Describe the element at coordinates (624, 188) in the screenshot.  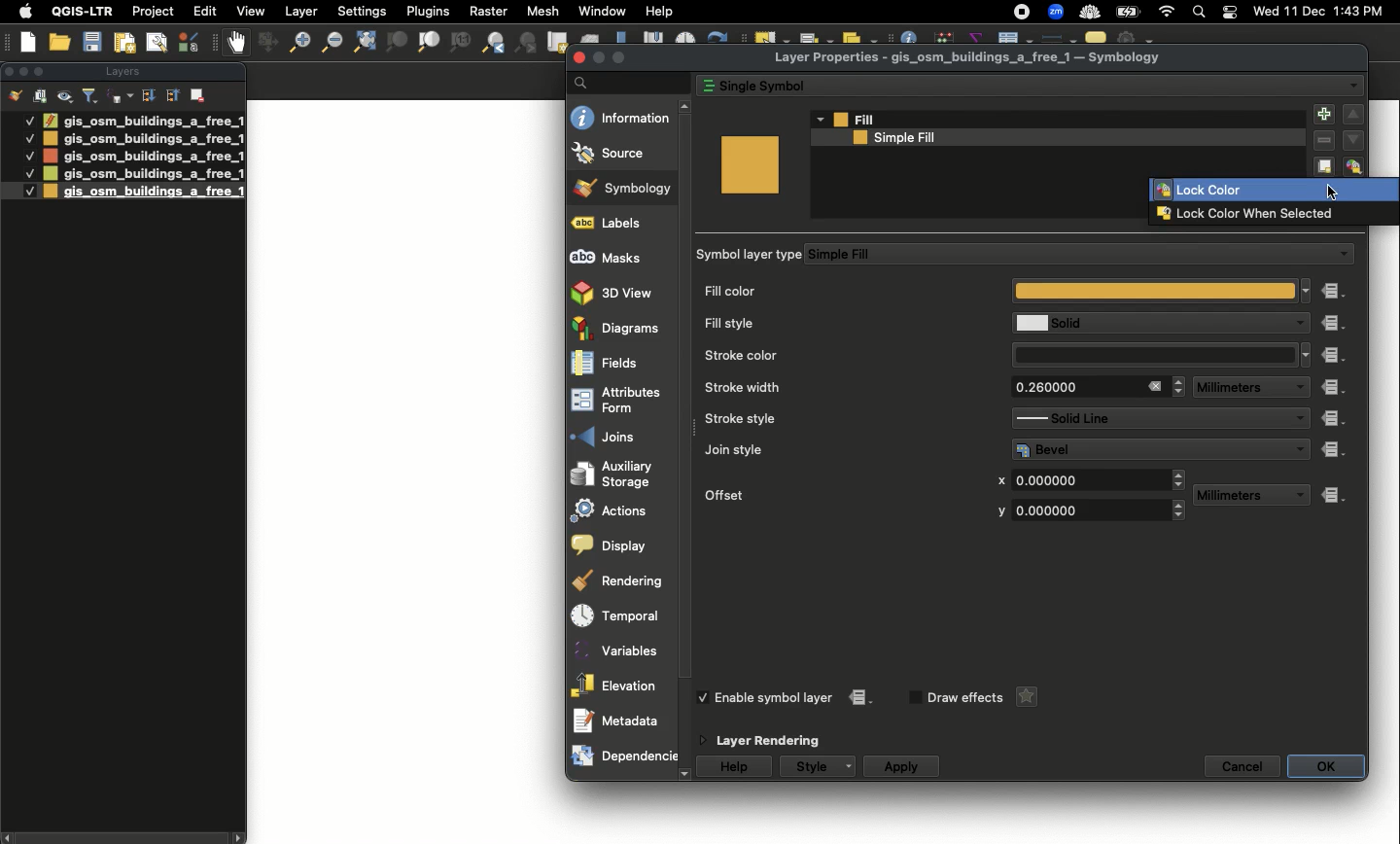
I see `Symbology` at that location.